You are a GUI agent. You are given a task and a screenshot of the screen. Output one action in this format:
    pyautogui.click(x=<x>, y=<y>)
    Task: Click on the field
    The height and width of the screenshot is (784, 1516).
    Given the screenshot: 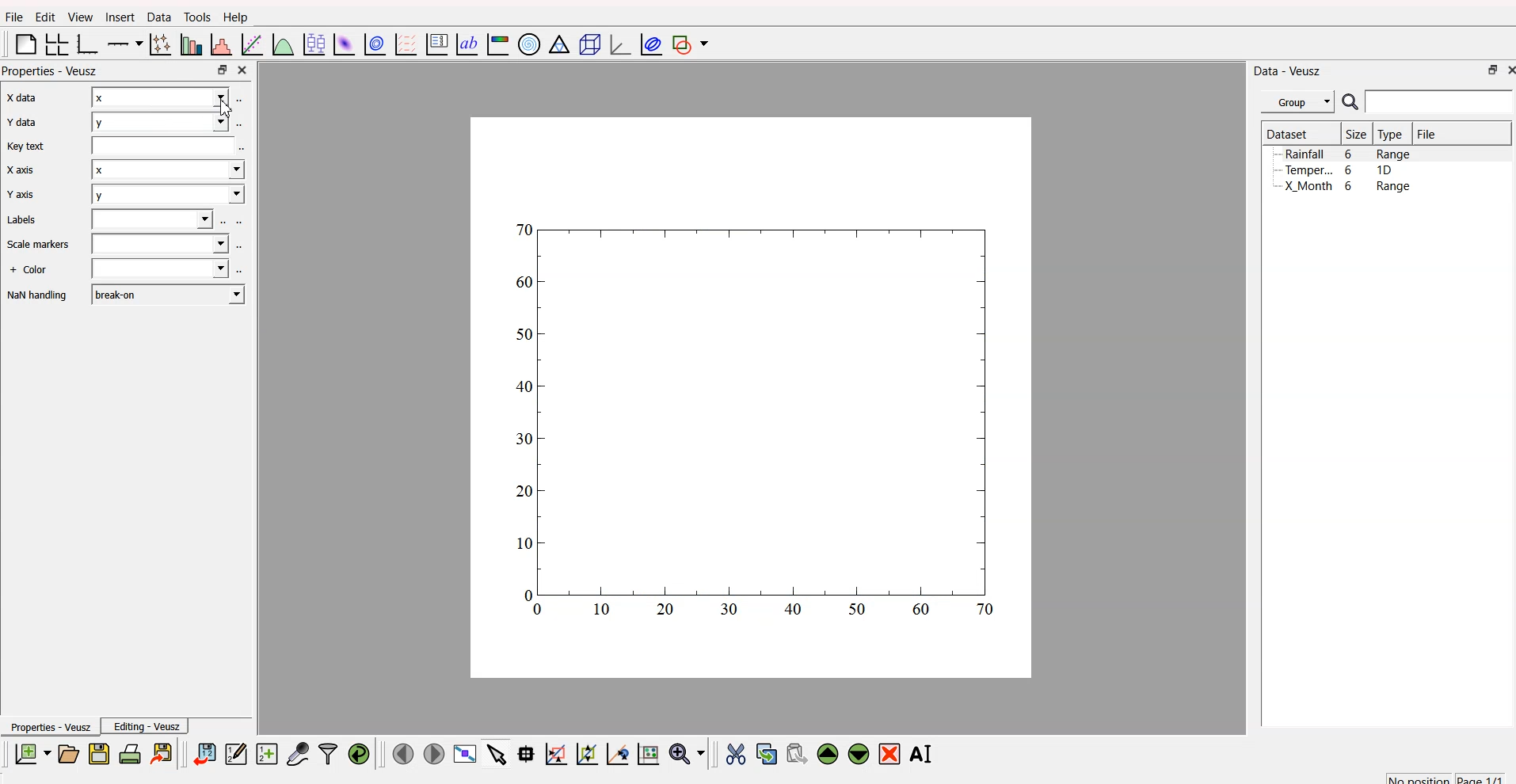 What is the action you would take?
    pyautogui.click(x=158, y=270)
    